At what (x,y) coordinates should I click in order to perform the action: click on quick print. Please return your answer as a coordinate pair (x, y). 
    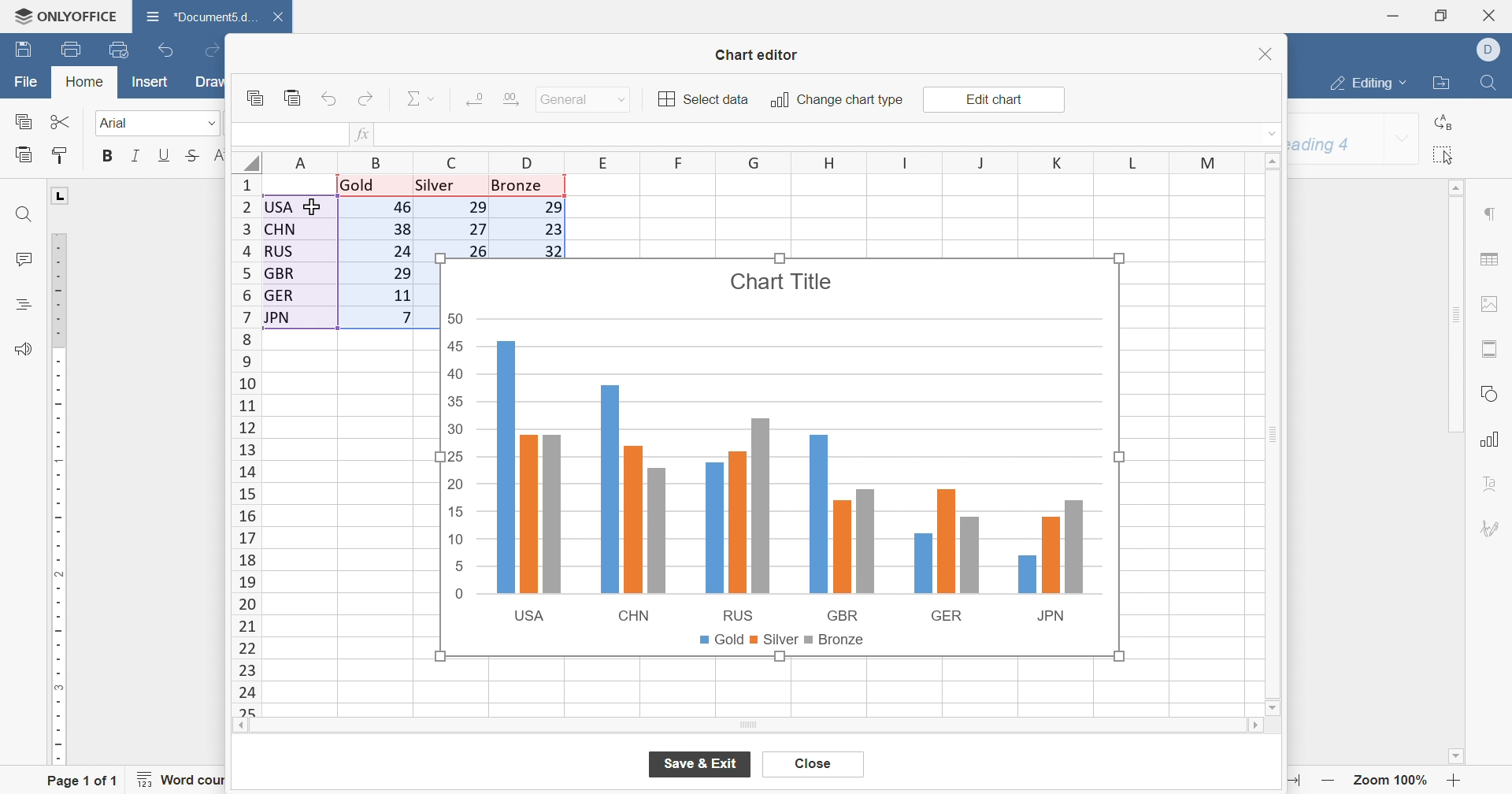
    Looking at the image, I should click on (118, 49).